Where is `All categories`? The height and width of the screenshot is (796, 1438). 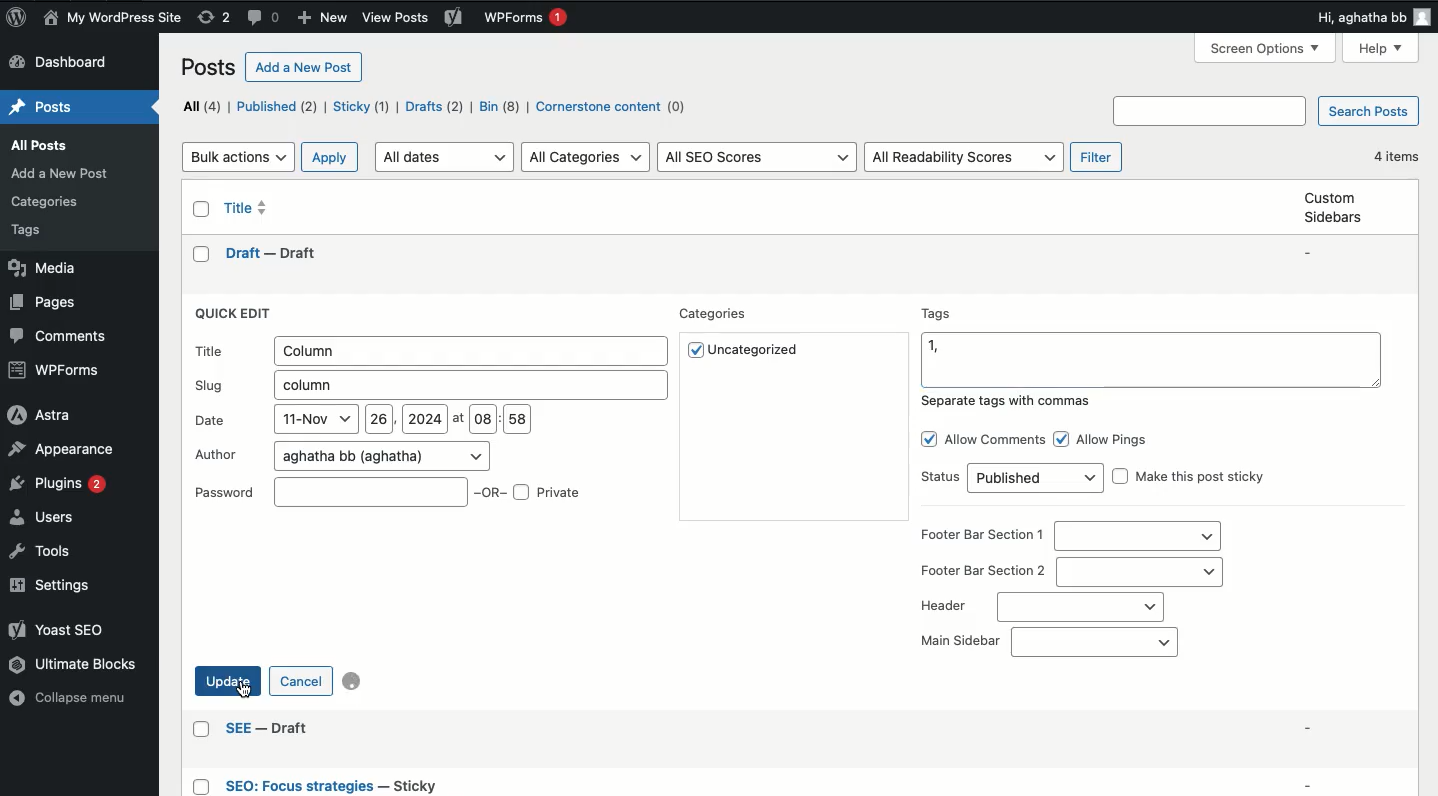
All categories is located at coordinates (587, 156).